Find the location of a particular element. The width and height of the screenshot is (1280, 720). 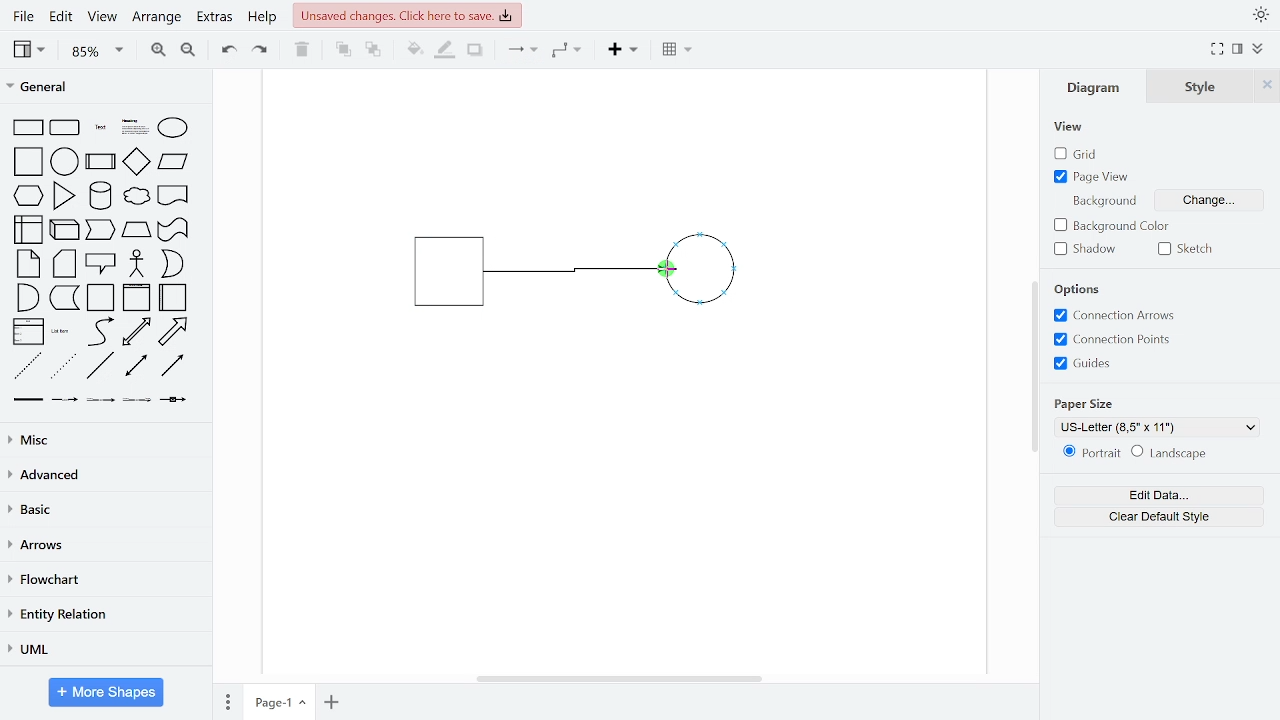

line is located at coordinates (100, 366).